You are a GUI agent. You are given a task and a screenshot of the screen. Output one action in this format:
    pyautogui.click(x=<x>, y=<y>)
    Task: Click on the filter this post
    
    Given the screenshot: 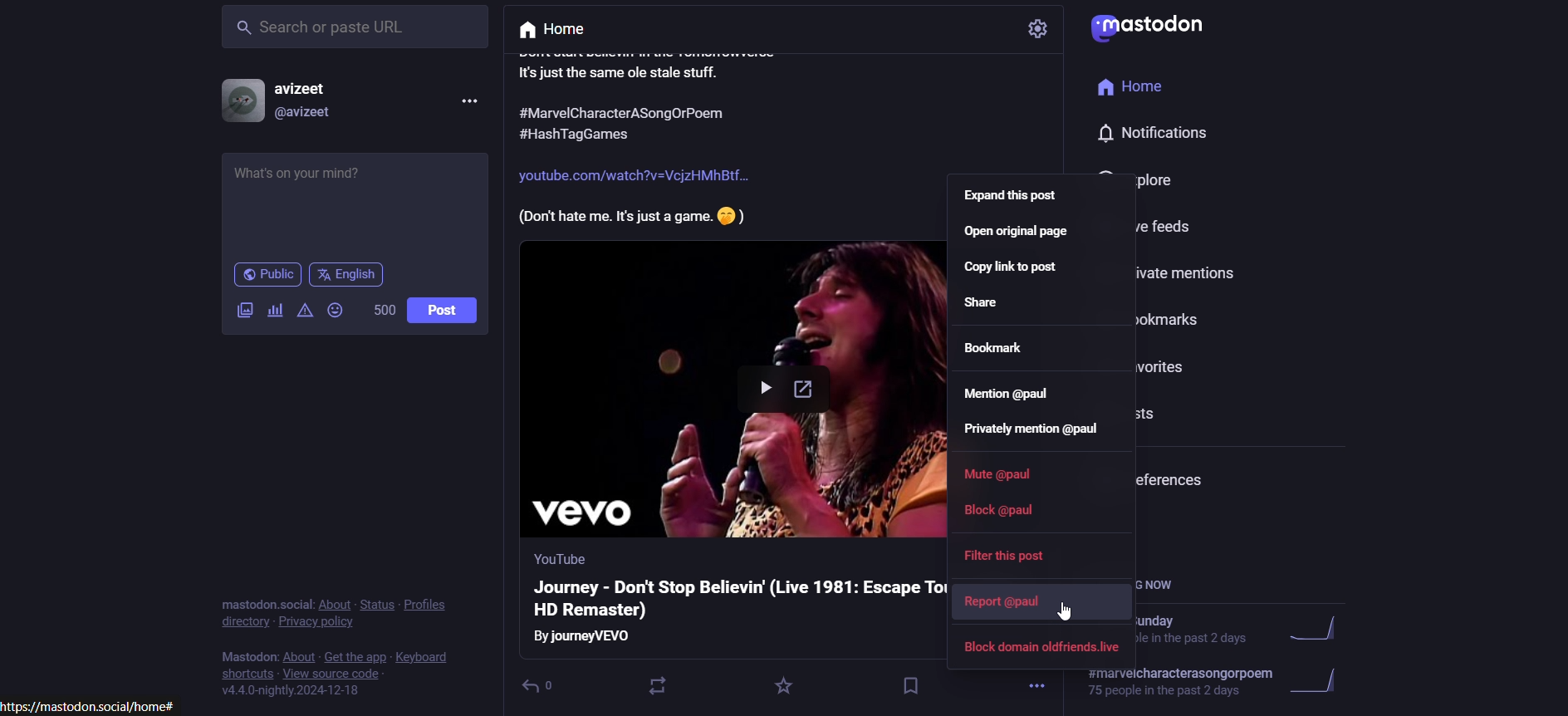 What is the action you would take?
    pyautogui.click(x=1002, y=556)
    